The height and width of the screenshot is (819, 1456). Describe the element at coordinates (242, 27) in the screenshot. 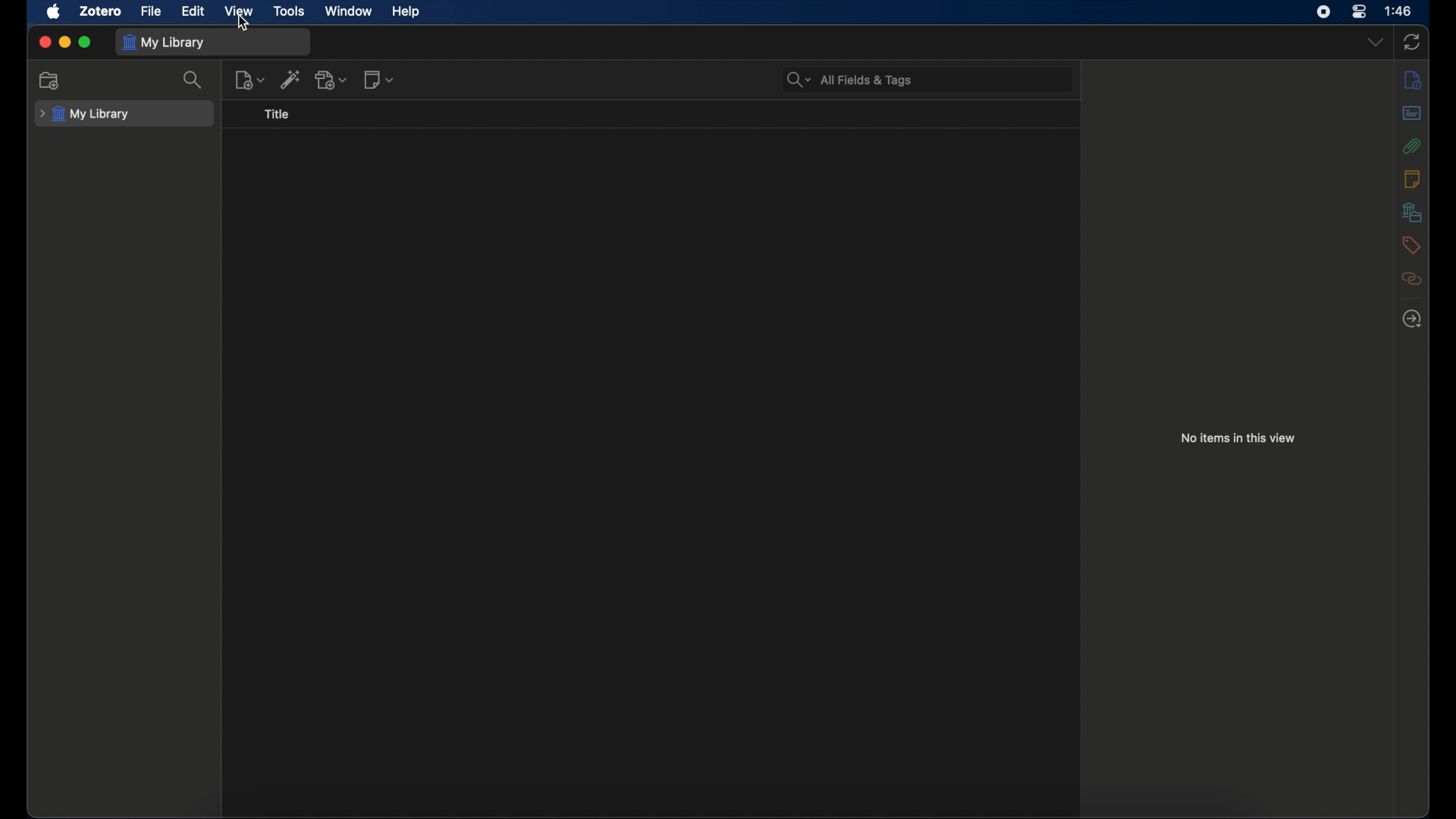

I see `Cursor` at that location.